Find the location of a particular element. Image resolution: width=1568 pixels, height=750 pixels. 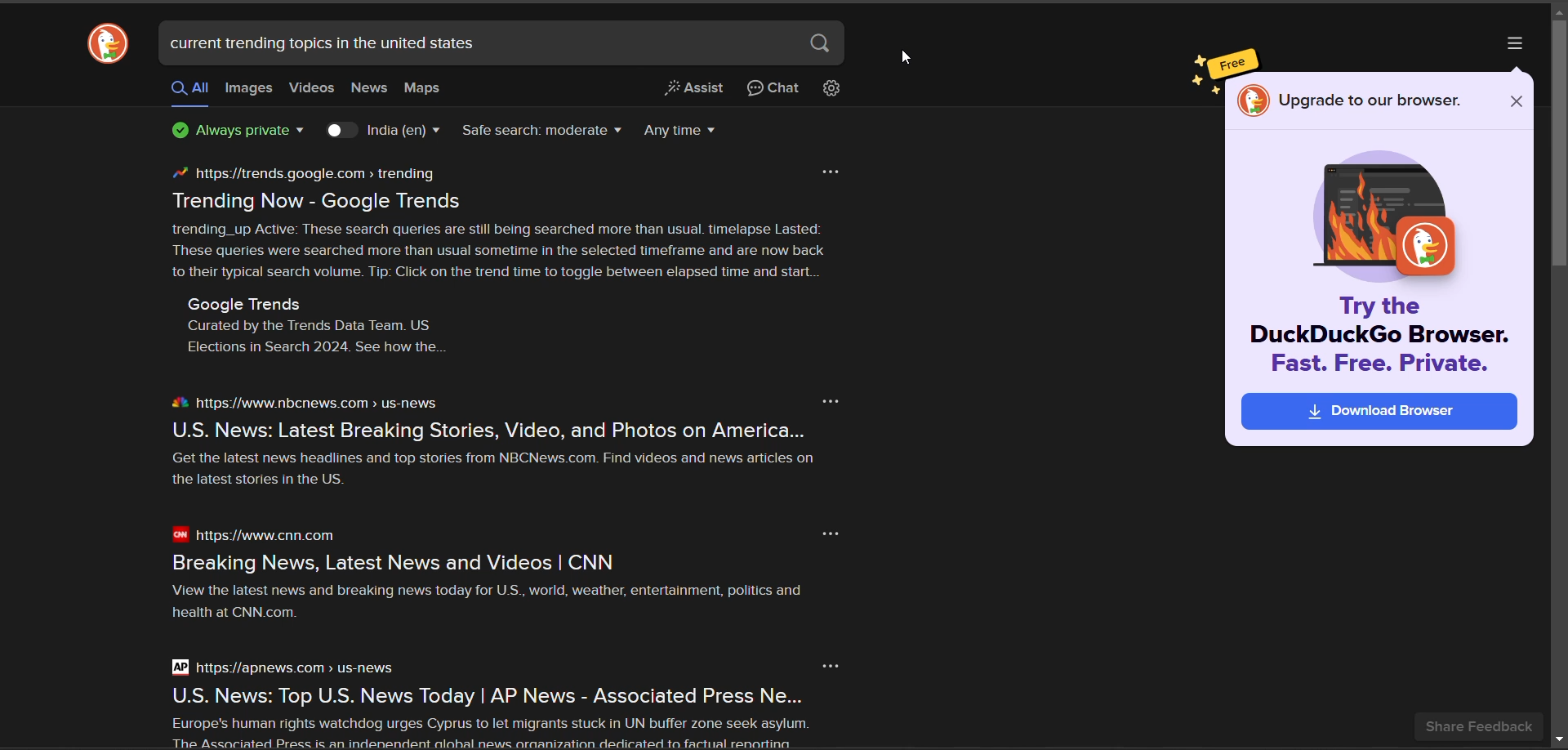

result timeline filter is located at coordinates (684, 133).